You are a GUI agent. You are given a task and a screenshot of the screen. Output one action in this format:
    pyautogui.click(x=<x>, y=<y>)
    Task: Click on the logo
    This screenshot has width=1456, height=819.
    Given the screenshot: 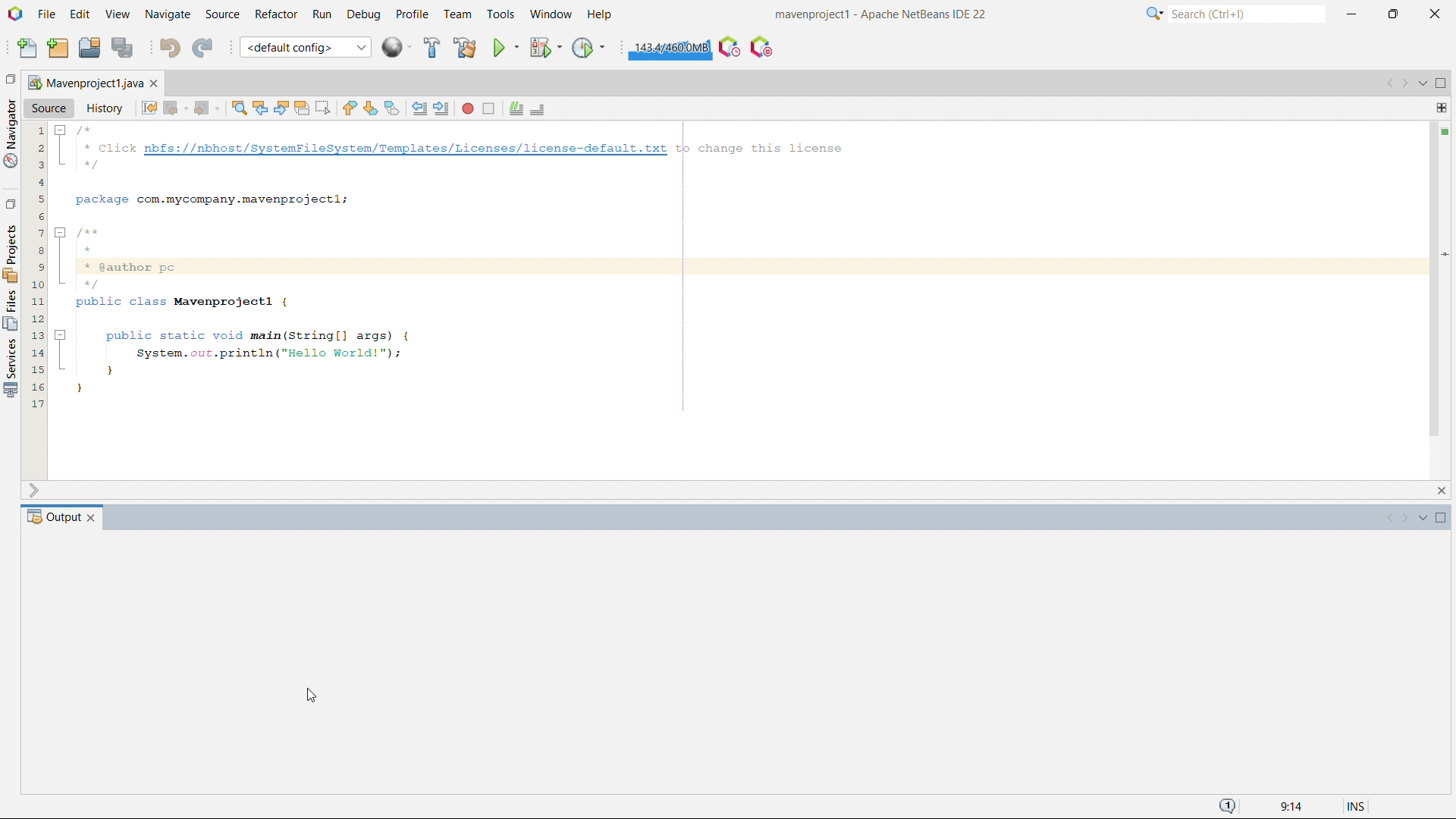 What is the action you would take?
    pyautogui.click(x=15, y=14)
    